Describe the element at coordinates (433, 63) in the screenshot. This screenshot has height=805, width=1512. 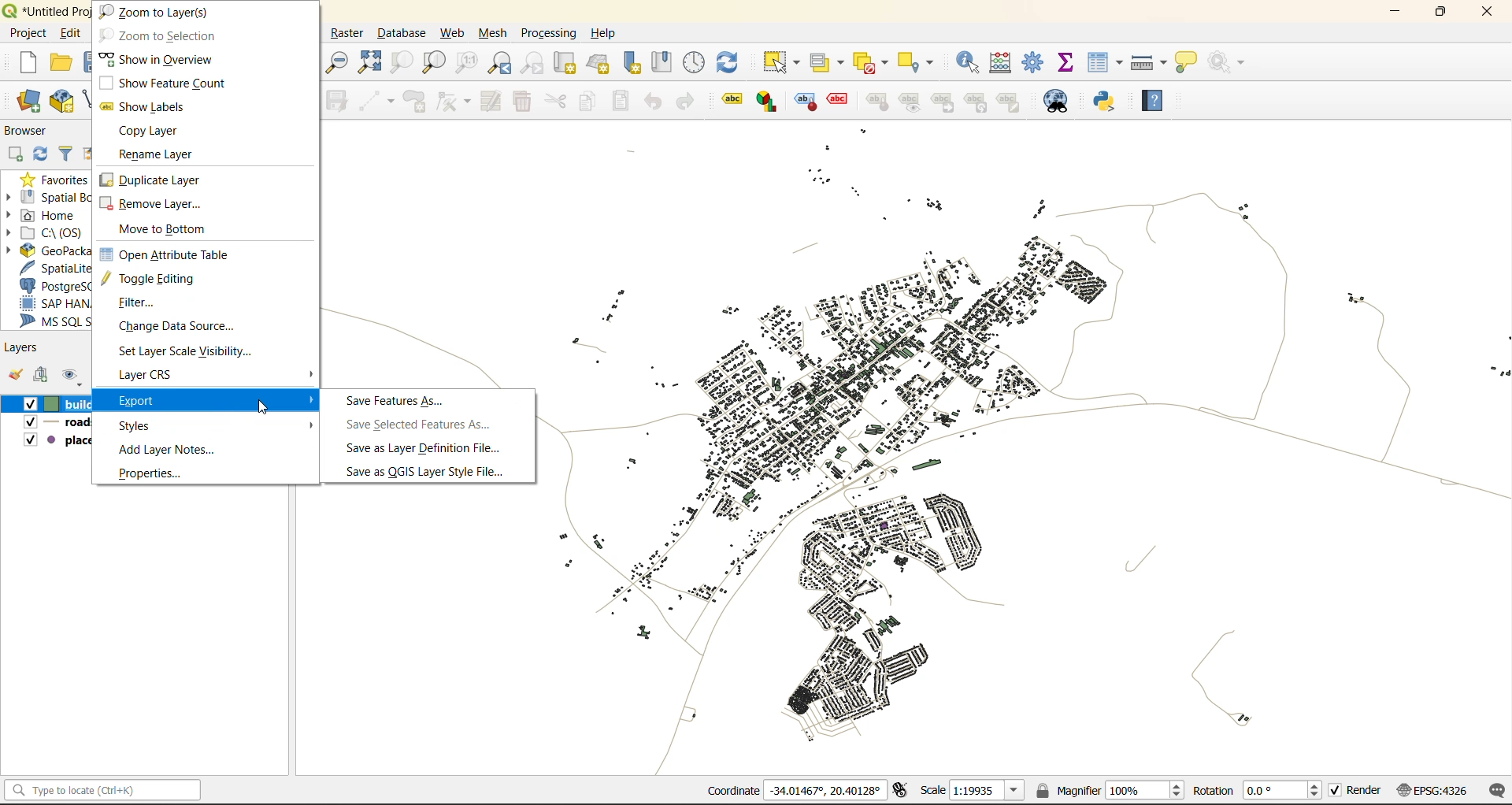
I see `zoom layer` at that location.